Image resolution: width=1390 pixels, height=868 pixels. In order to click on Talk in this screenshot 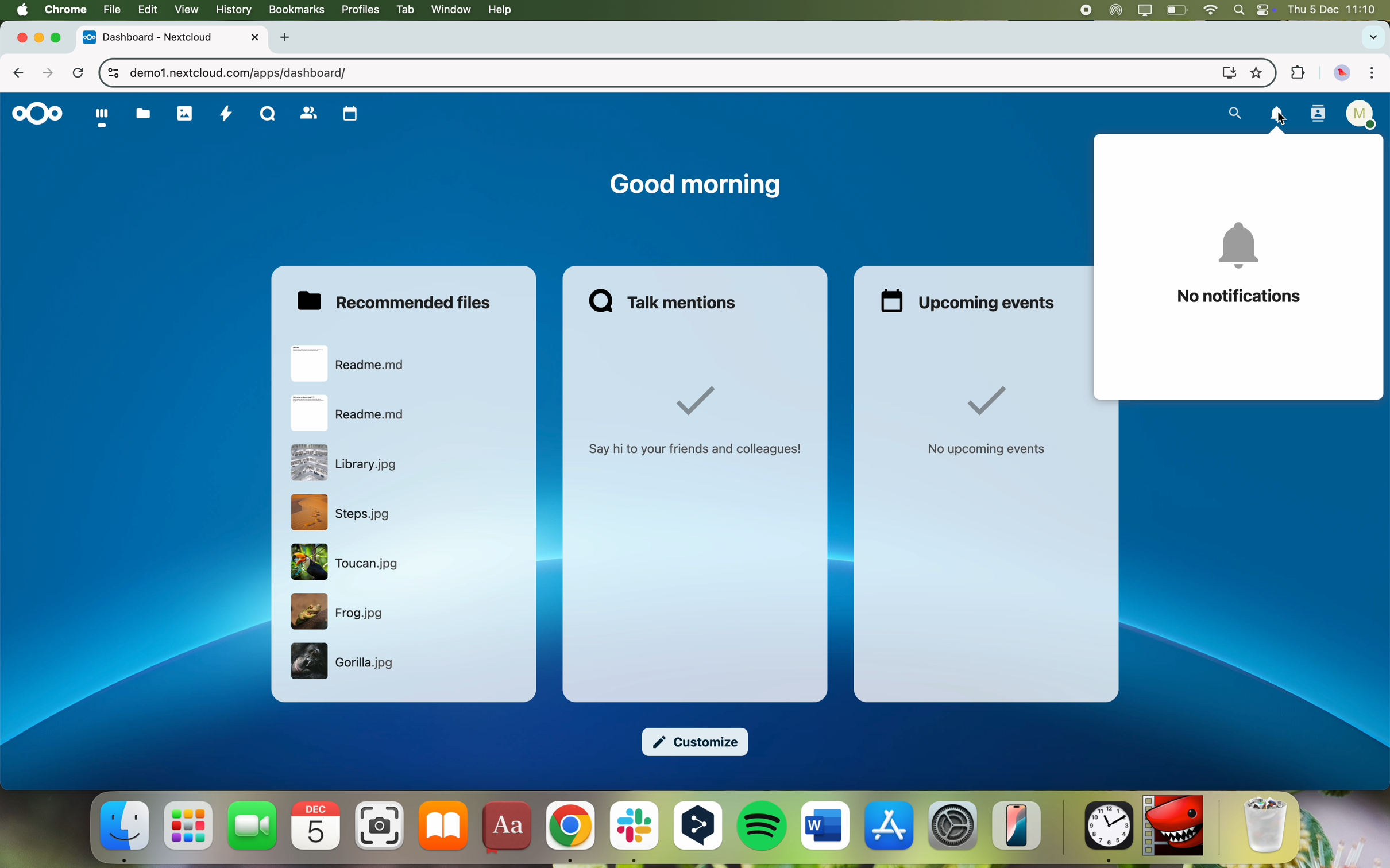, I will do `click(268, 113)`.